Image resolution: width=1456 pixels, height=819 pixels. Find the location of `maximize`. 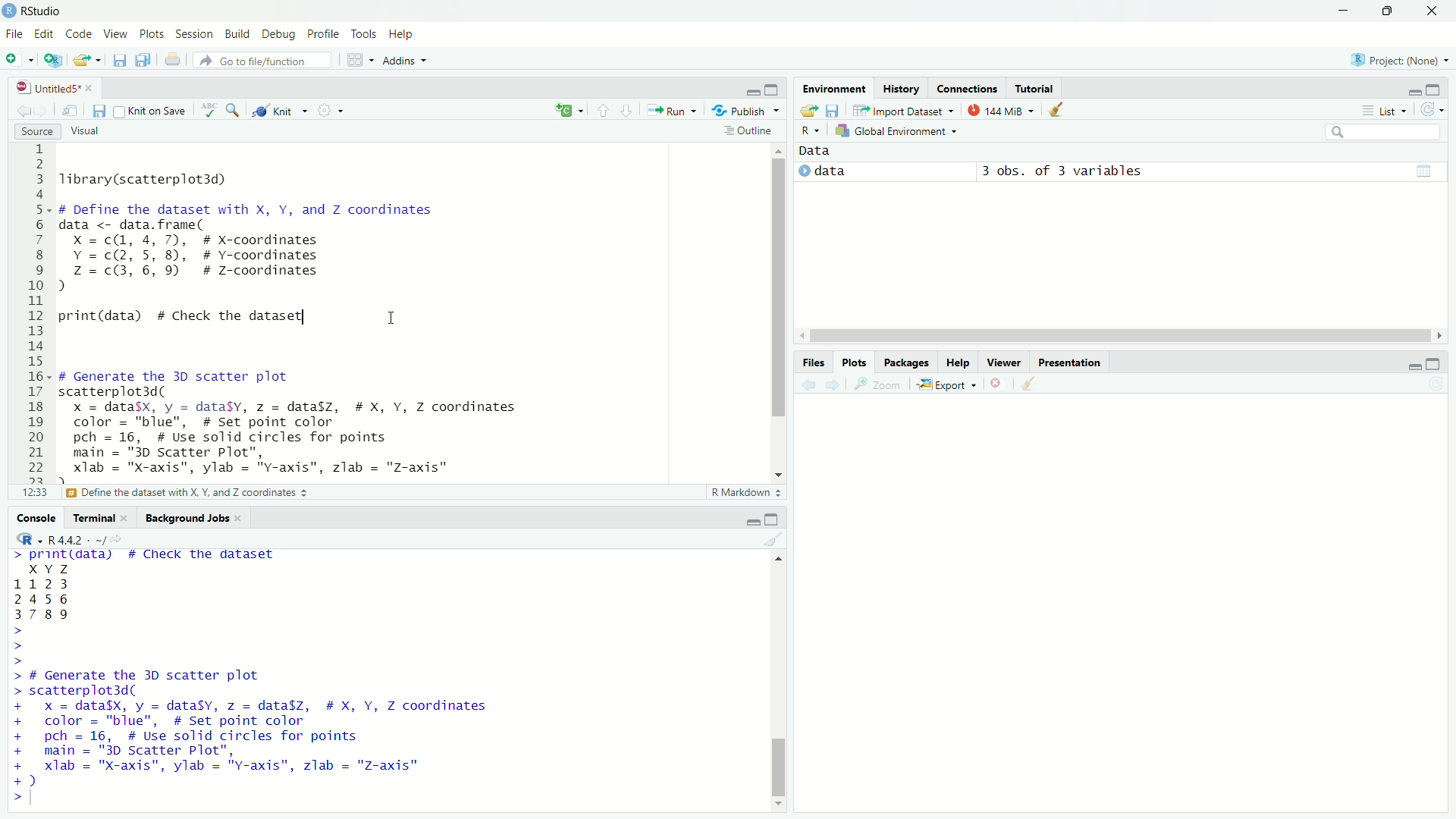

maximize is located at coordinates (1388, 11).